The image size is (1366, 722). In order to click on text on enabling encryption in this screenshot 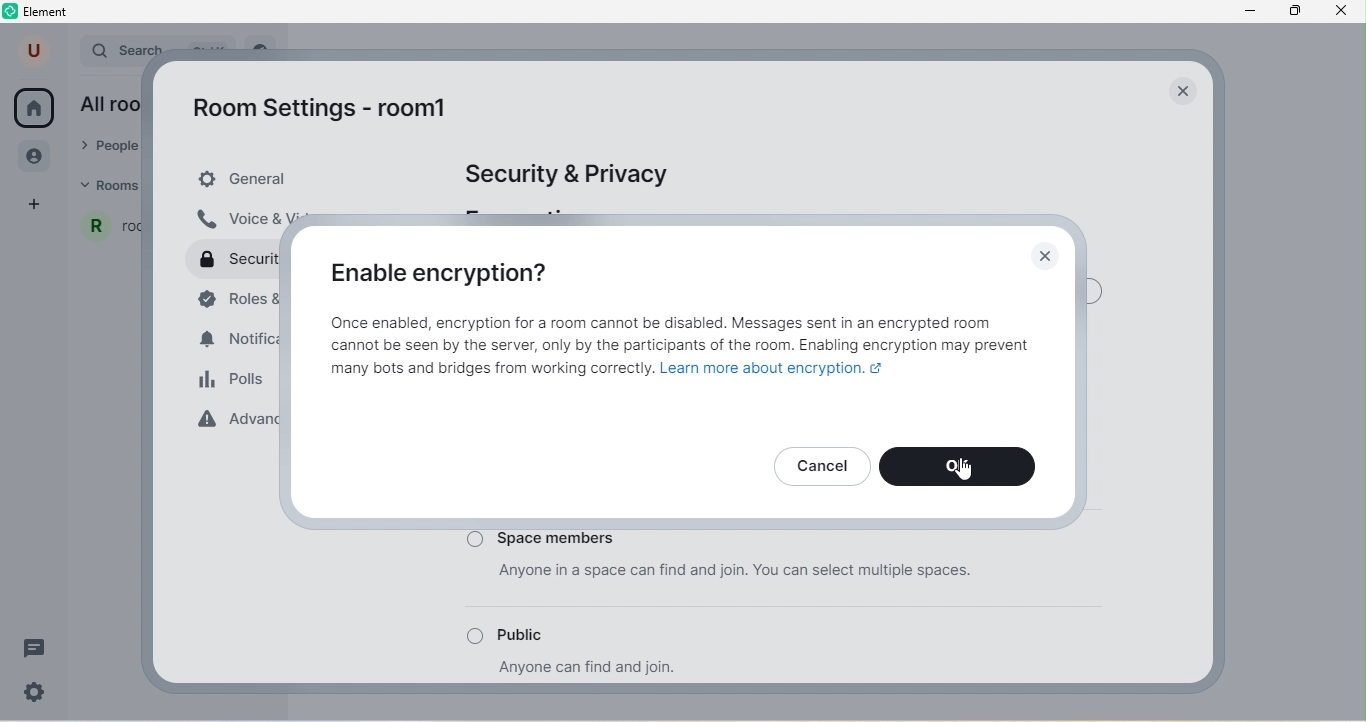, I will do `click(683, 352)`.